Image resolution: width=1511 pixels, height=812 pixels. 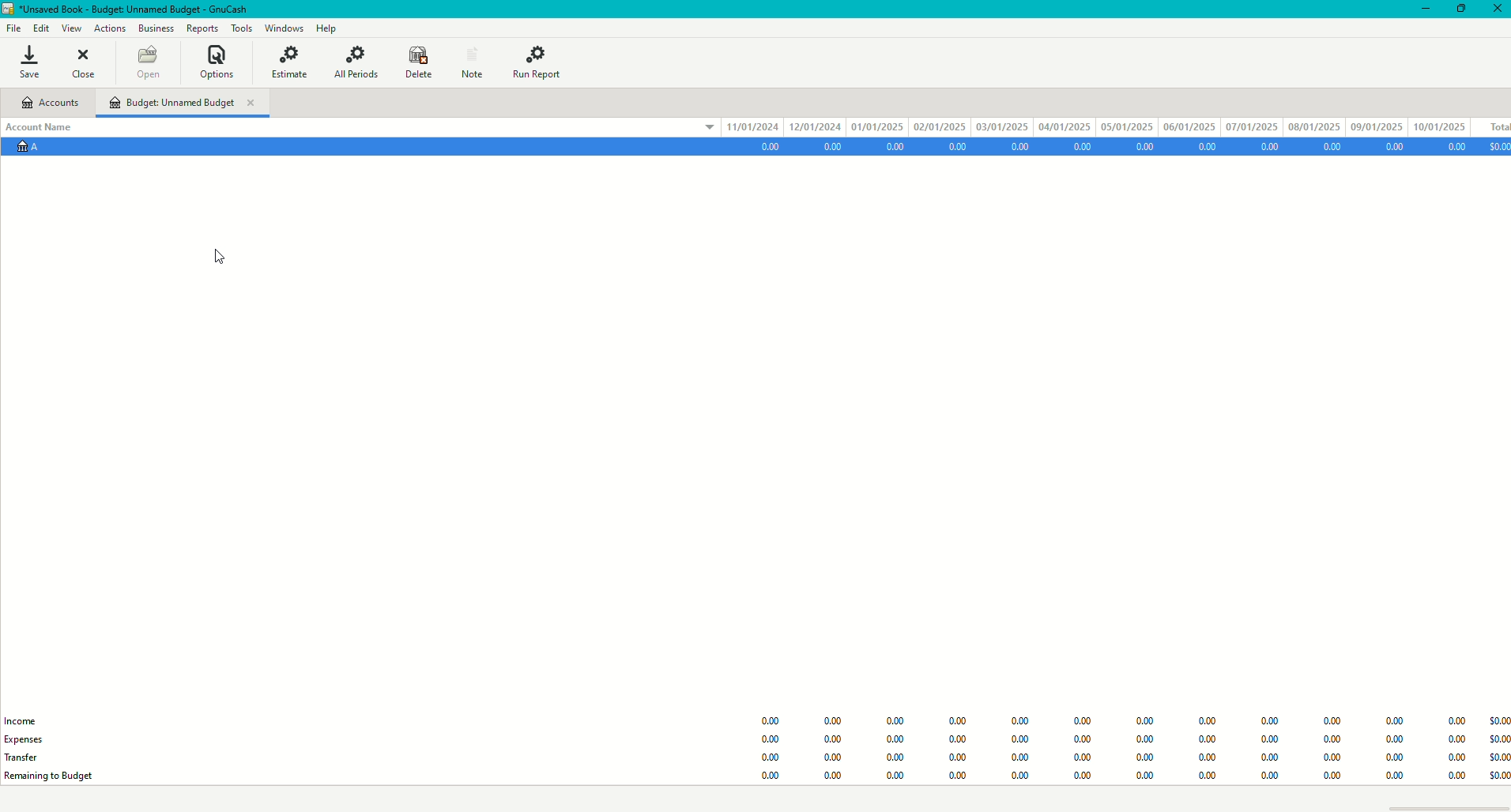 I want to click on Save, so click(x=35, y=60).